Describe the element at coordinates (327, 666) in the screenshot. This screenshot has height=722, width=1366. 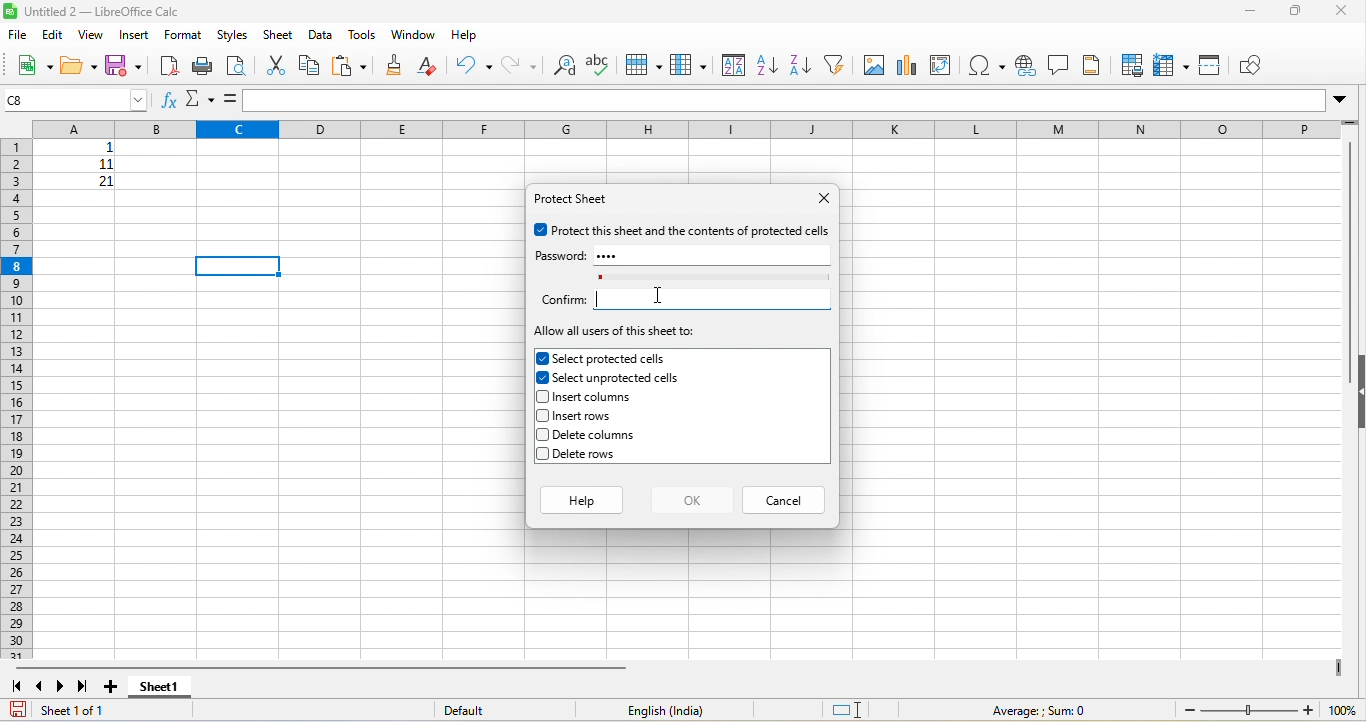
I see `horizontal scroll bar` at that location.